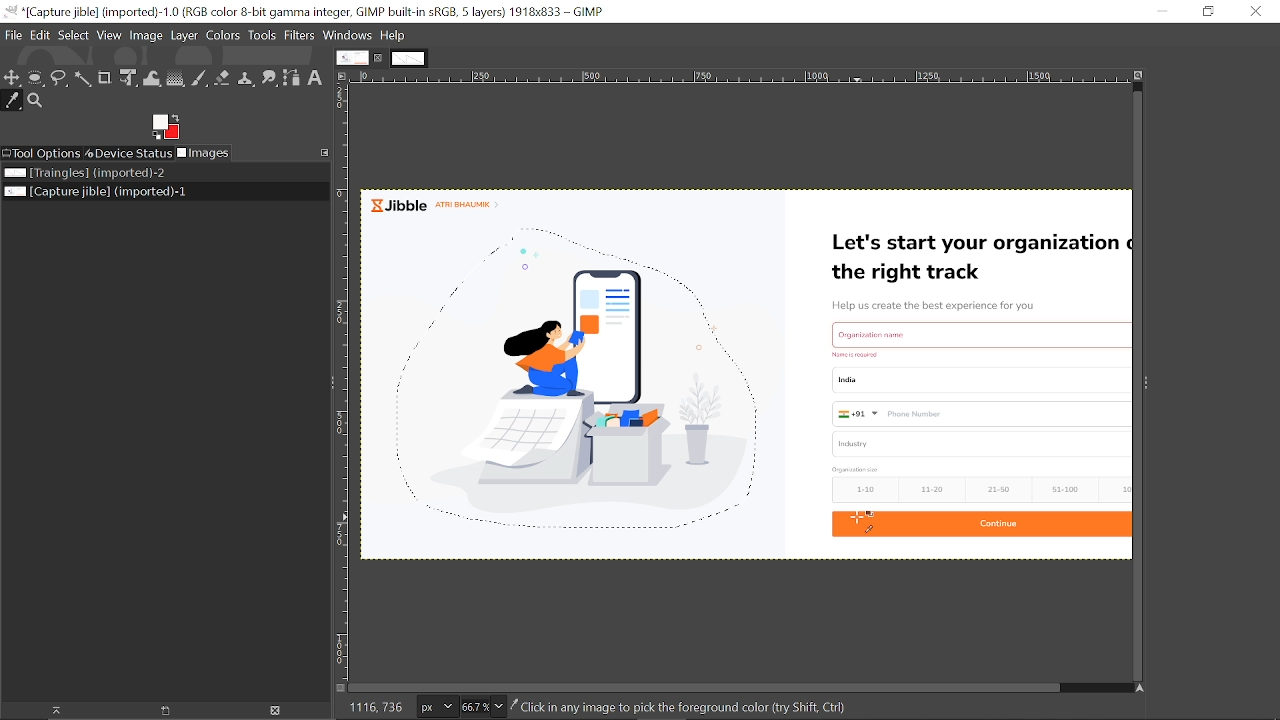 This screenshot has width=1280, height=720. Describe the element at coordinates (1137, 688) in the screenshot. I see `Navigate the image display` at that location.